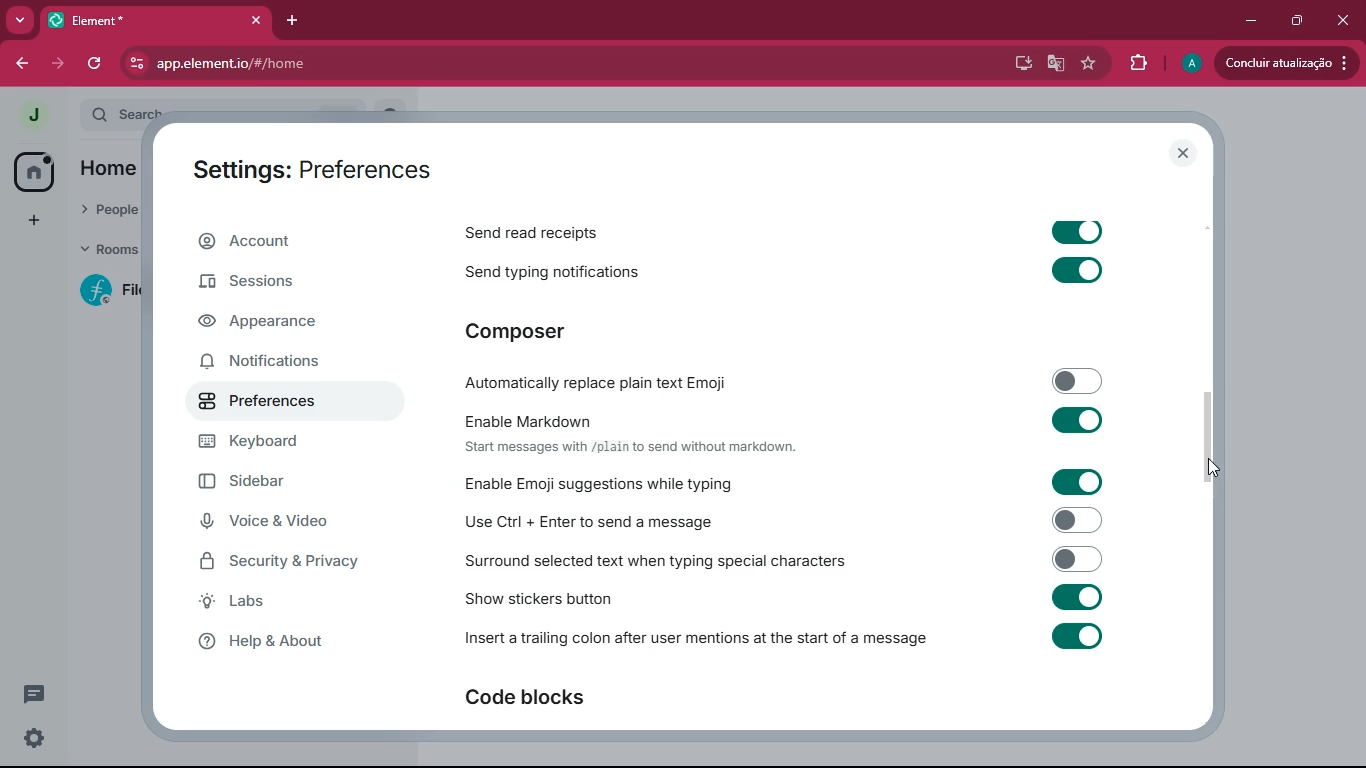 Image resolution: width=1366 pixels, height=768 pixels. I want to click on sidebar, so click(283, 481).